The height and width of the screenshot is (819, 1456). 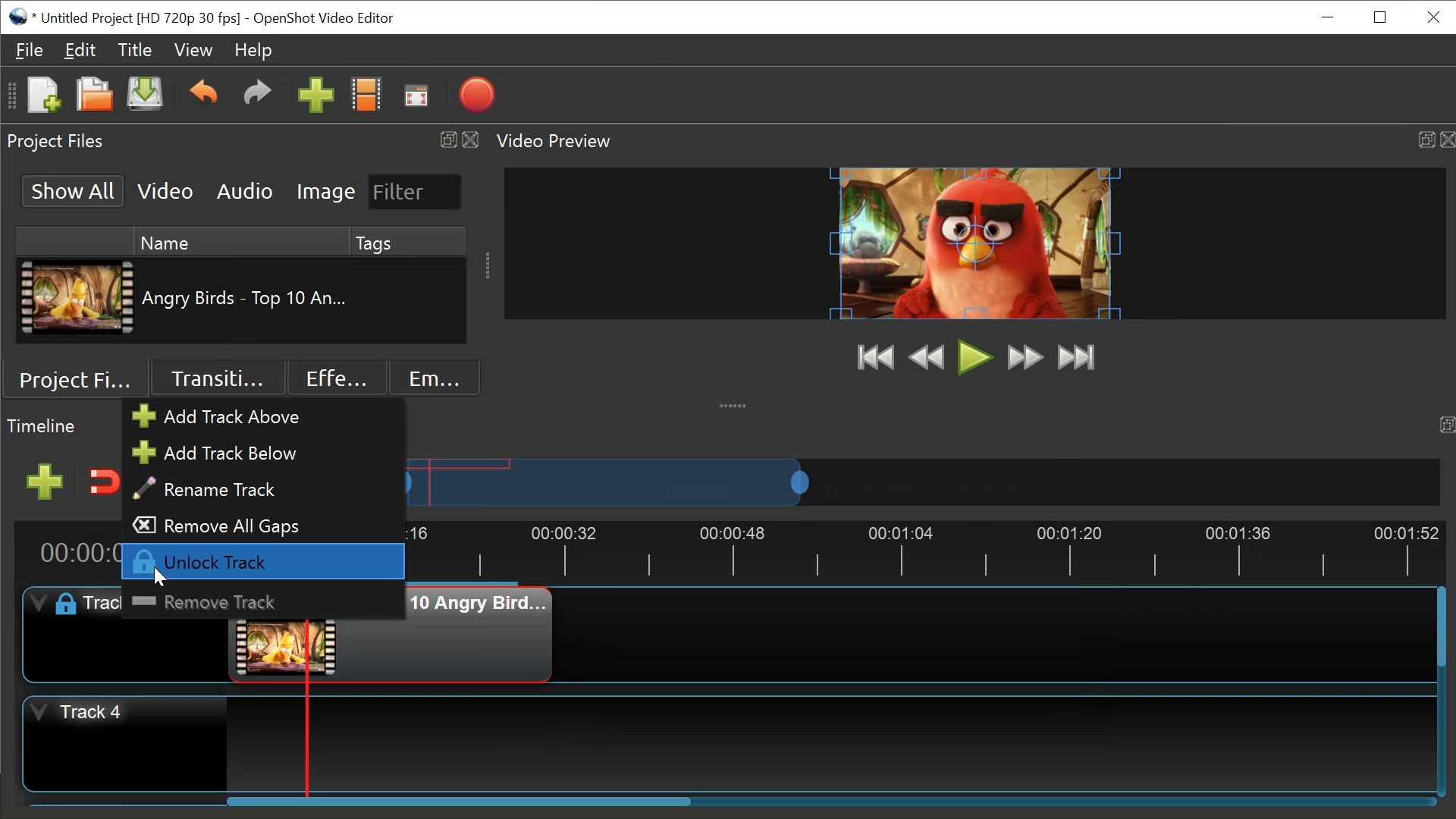 What do you see at coordinates (876, 357) in the screenshot?
I see `Jump to Start` at bounding box center [876, 357].